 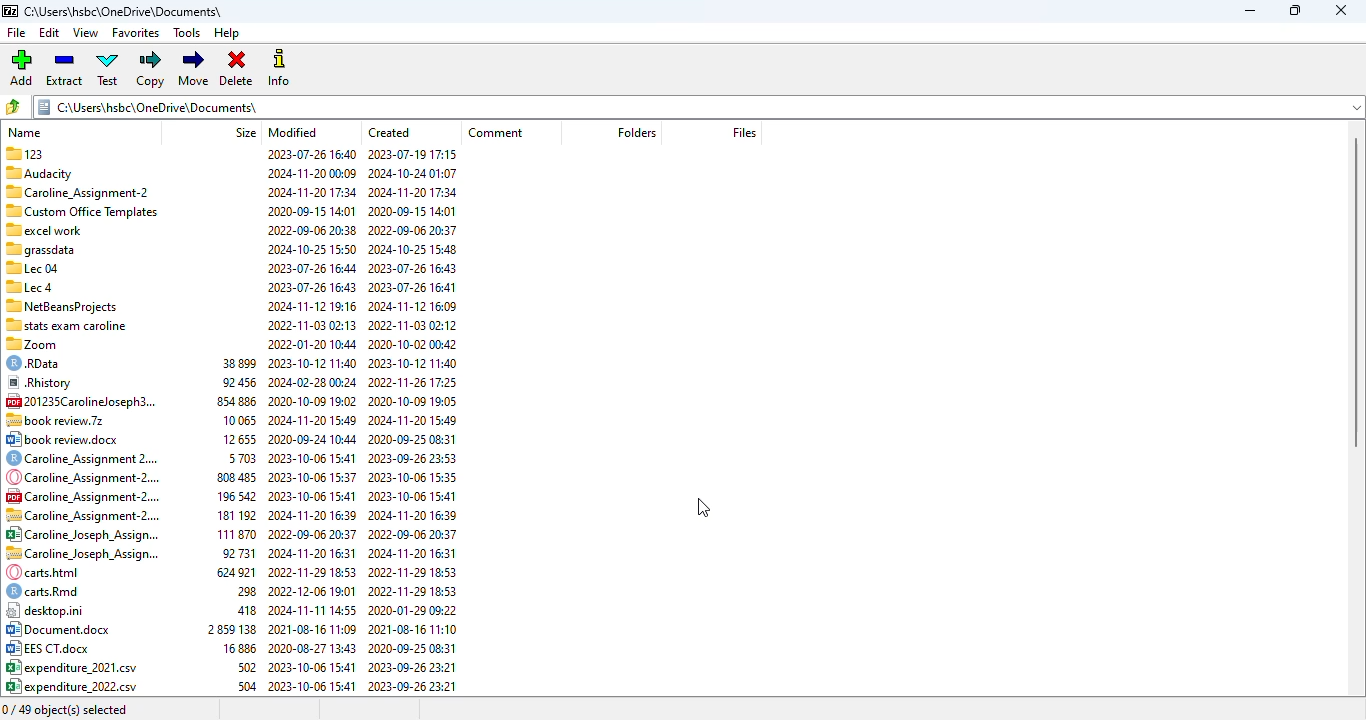 I want to click on favorites, so click(x=136, y=34).